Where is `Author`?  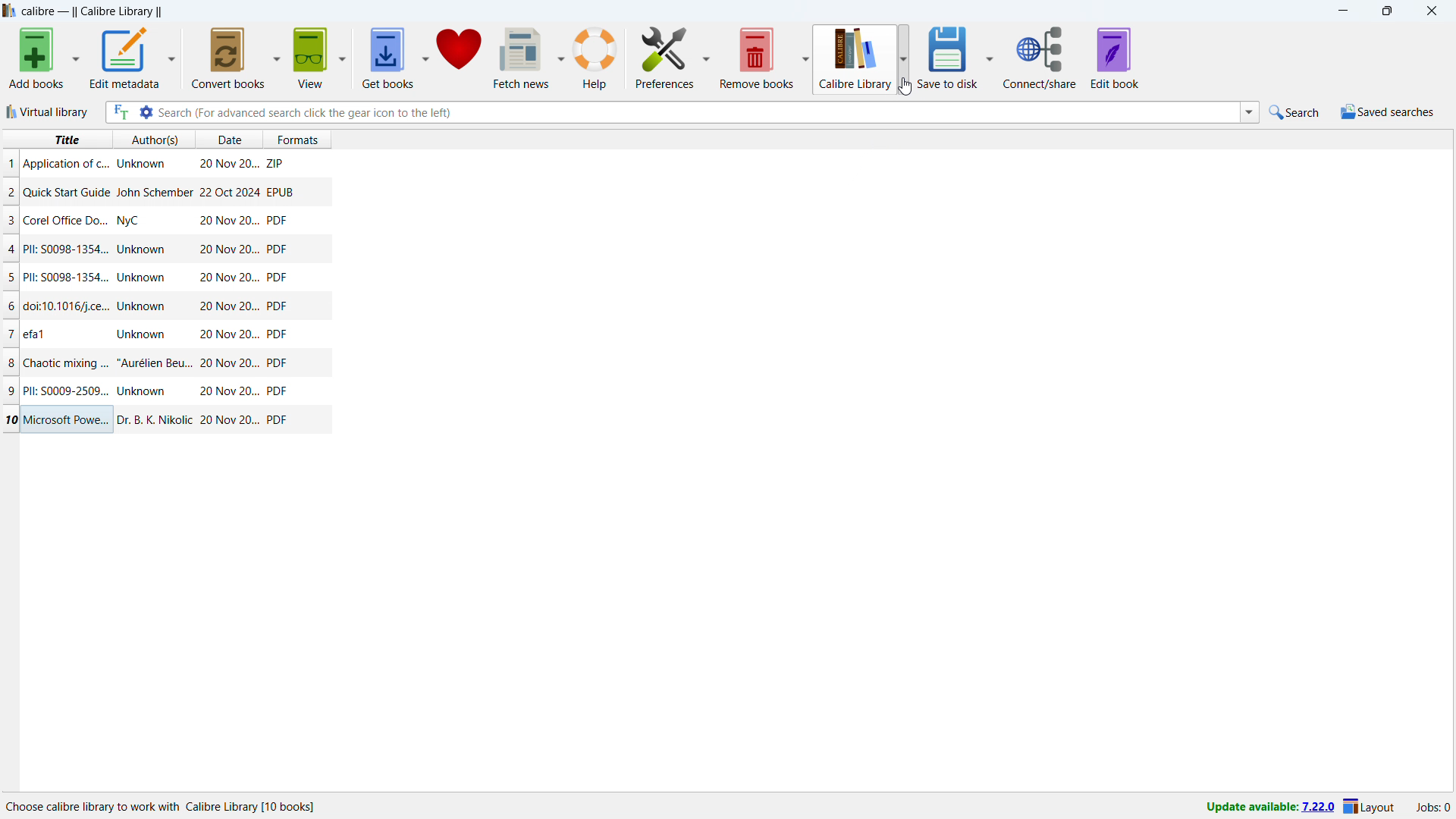
Author is located at coordinates (155, 362).